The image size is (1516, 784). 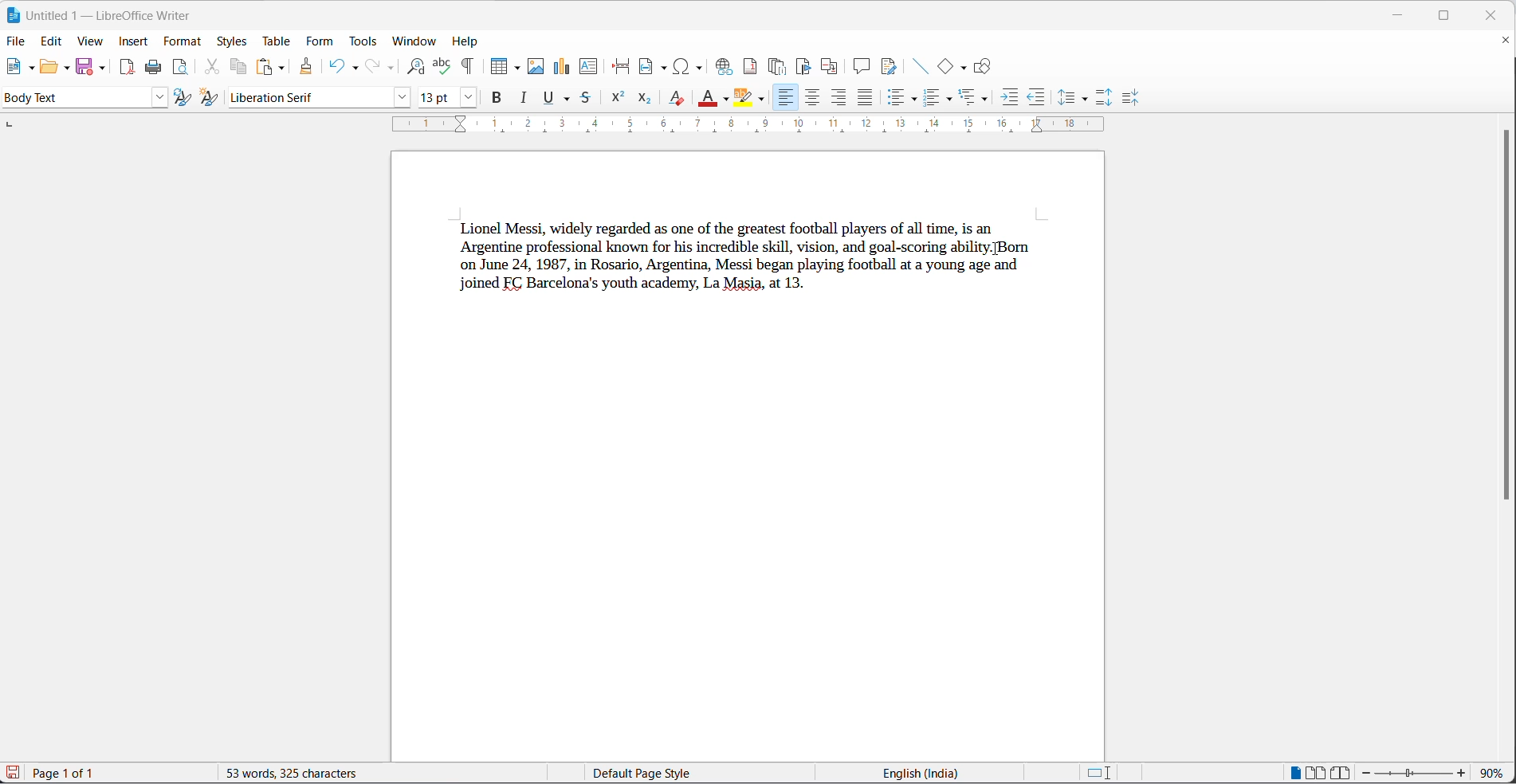 What do you see at coordinates (1505, 318) in the screenshot?
I see `scrollbar` at bounding box center [1505, 318].